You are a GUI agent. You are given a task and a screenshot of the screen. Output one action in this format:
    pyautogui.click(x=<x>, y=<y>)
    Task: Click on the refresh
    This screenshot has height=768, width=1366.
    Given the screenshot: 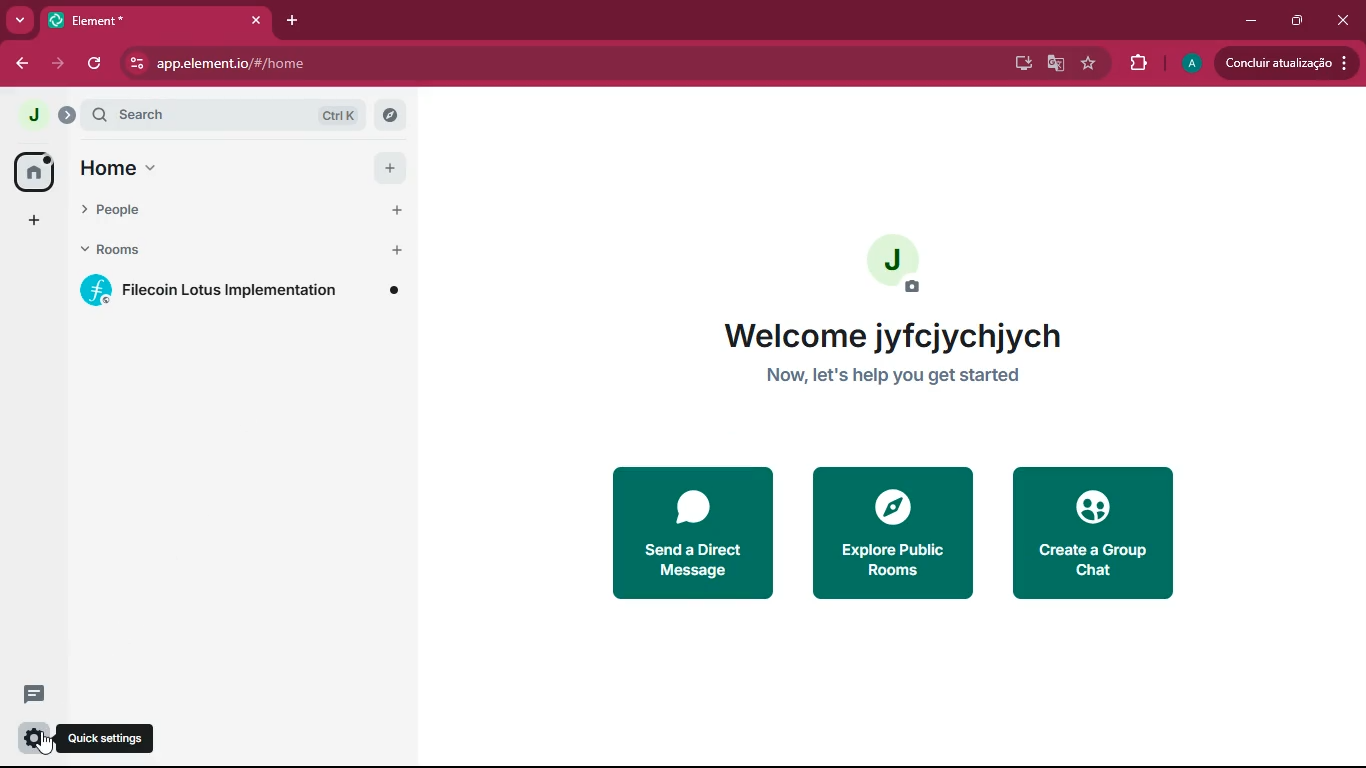 What is the action you would take?
    pyautogui.click(x=98, y=63)
    